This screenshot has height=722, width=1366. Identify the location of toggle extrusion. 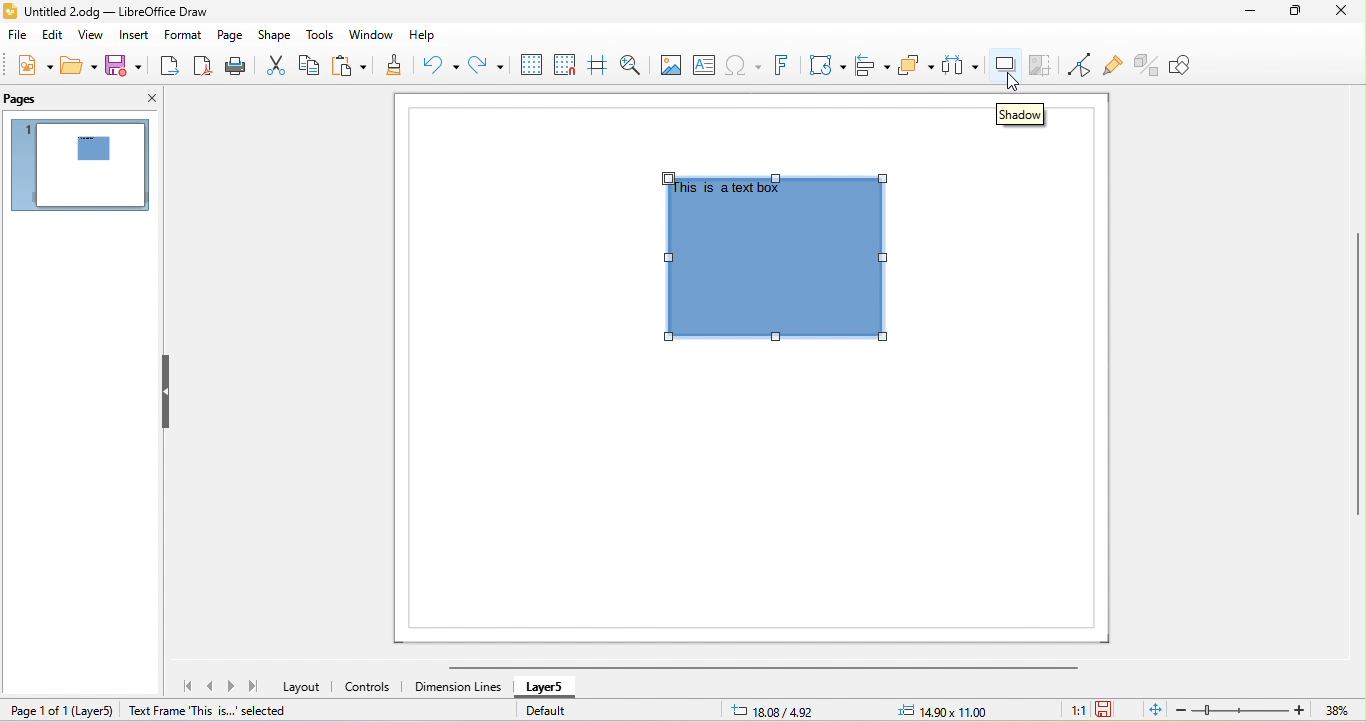
(1145, 67).